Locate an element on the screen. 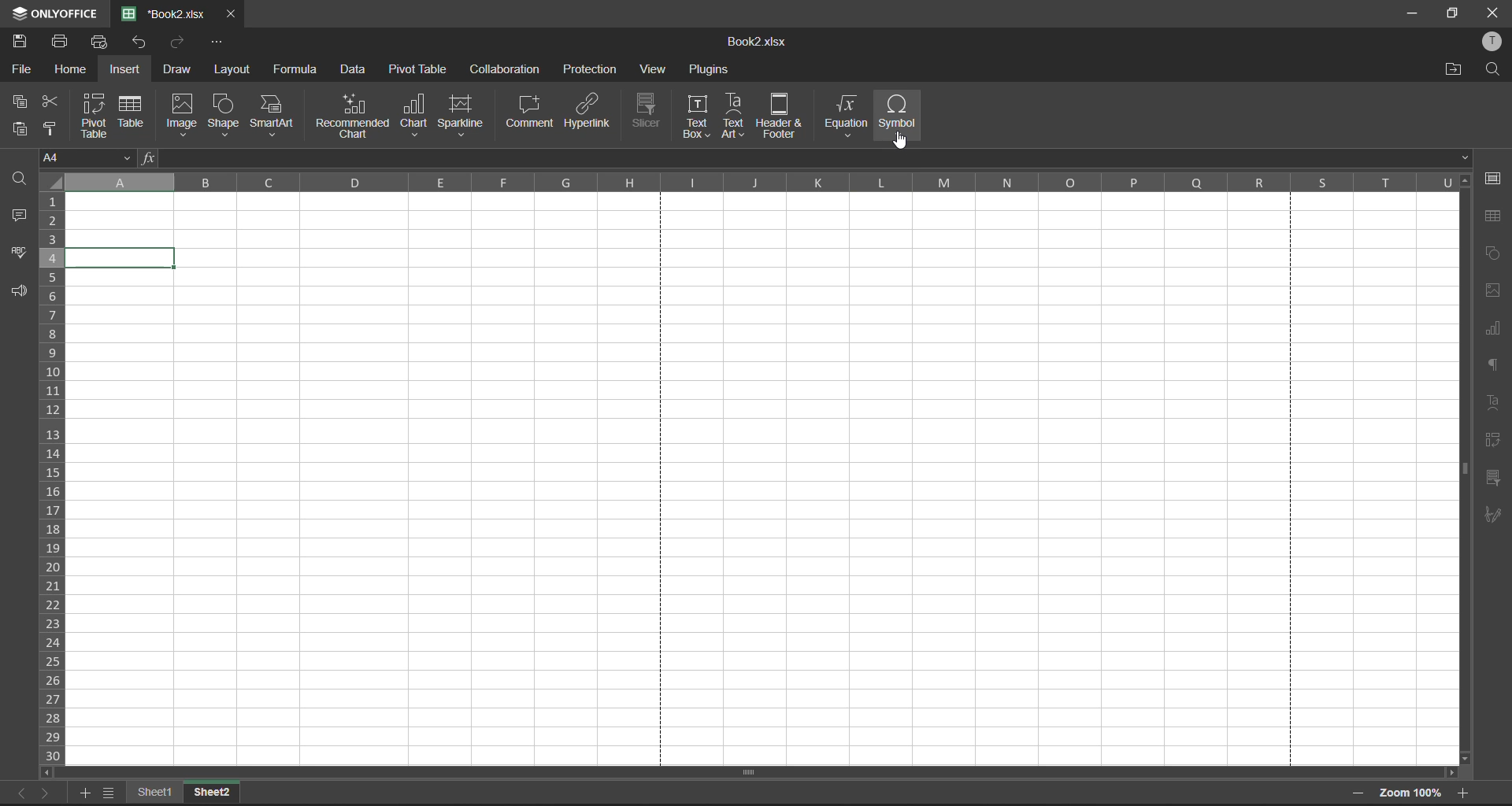 The width and height of the screenshot is (1512, 806). scroll left is located at coordinates (46, 773).